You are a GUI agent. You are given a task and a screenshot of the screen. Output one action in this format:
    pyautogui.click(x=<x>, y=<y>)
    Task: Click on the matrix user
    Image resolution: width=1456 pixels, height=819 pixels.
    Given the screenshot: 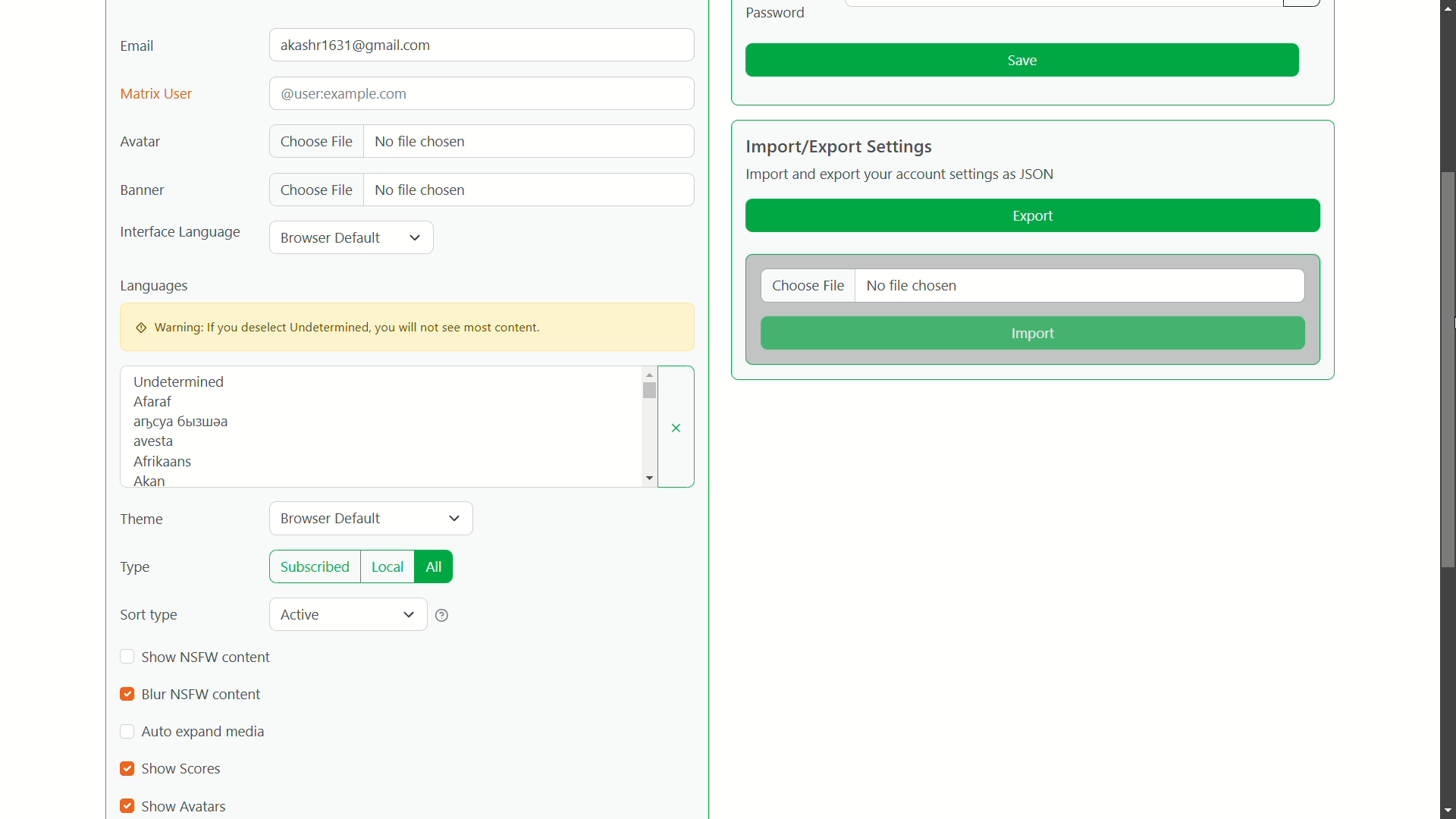 What is the action you would take?
    pyautogui.click(x=156, y=95)
    